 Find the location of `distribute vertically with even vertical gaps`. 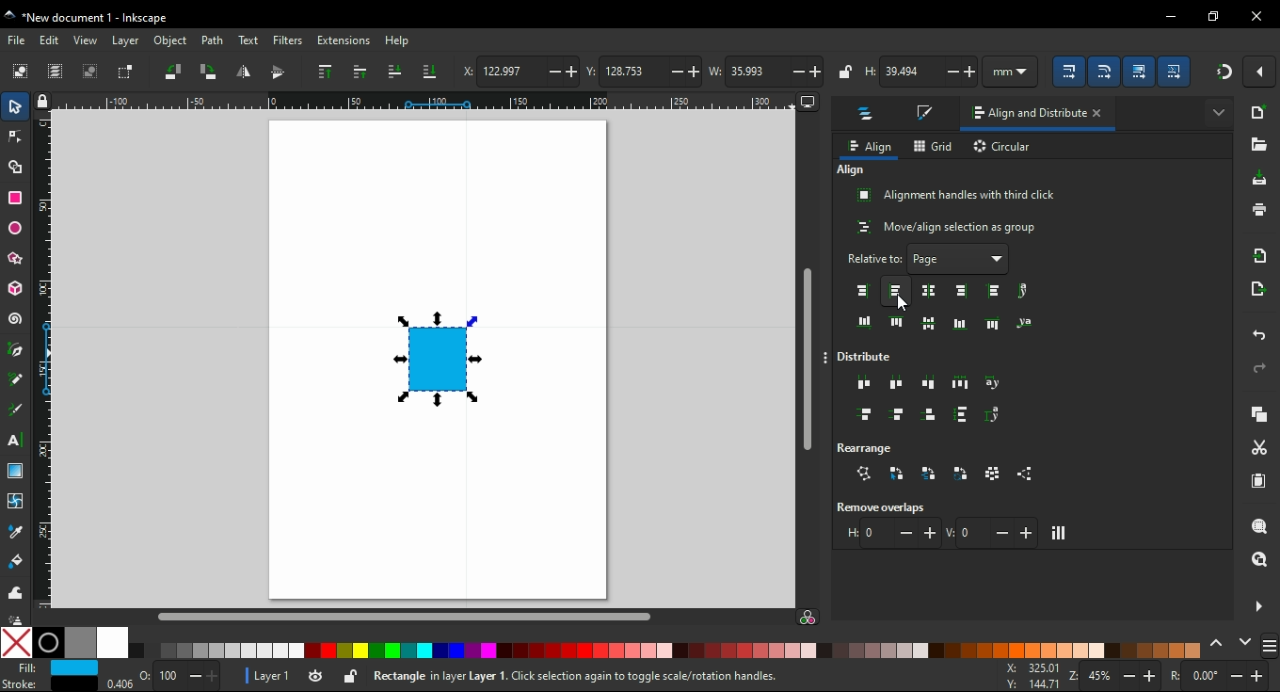

distribute vertically with even vertical gaps is located at coordinates (966, 415).